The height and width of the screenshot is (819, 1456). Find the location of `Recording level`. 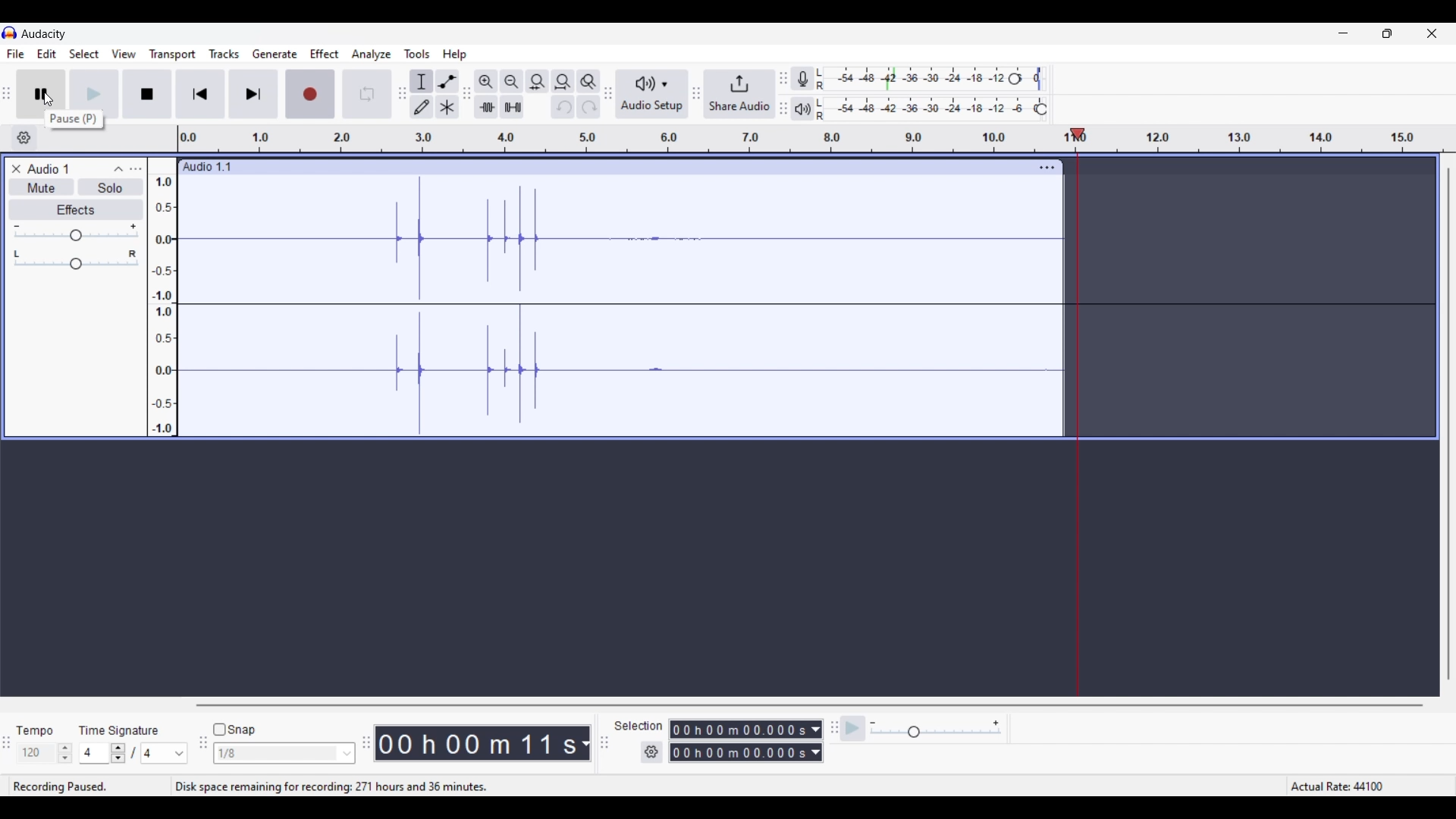

Recording level is located at coordinates (921, 77).